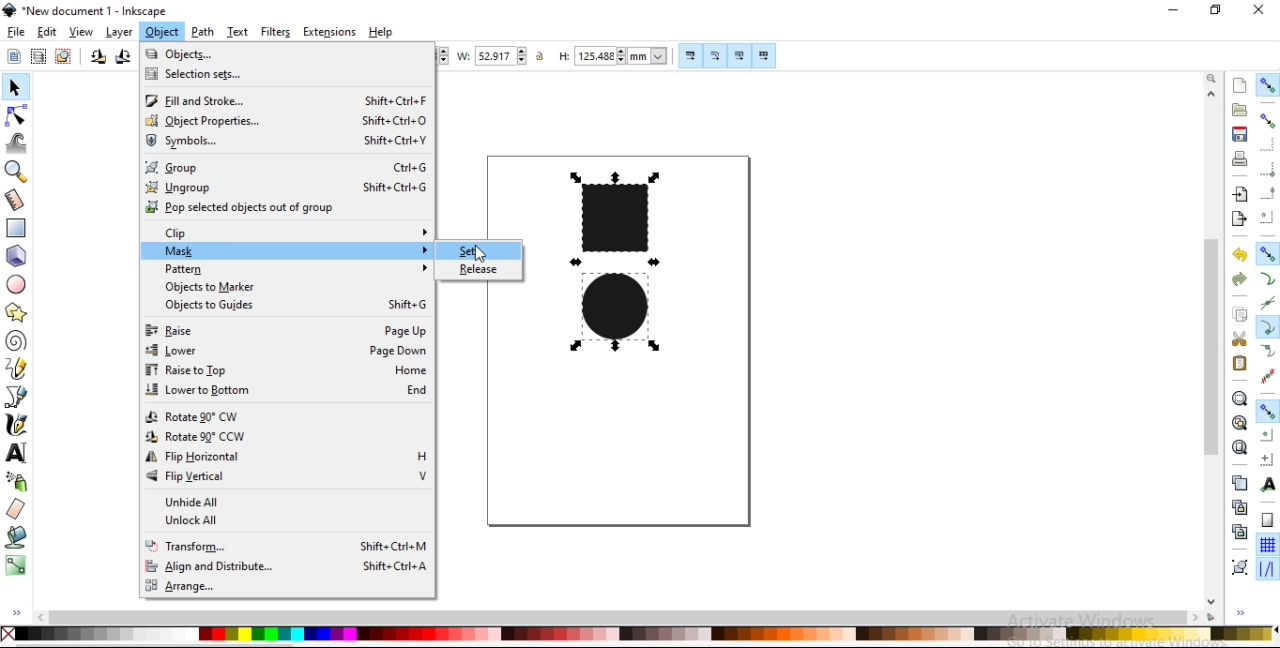 Image resolution: width=1280 pixels, height=648 pixels. What do you see at coordinates (17, 145) in the screenshot?
I see `tweak objects by sculpting or painting` at bounding box center [17, 145].